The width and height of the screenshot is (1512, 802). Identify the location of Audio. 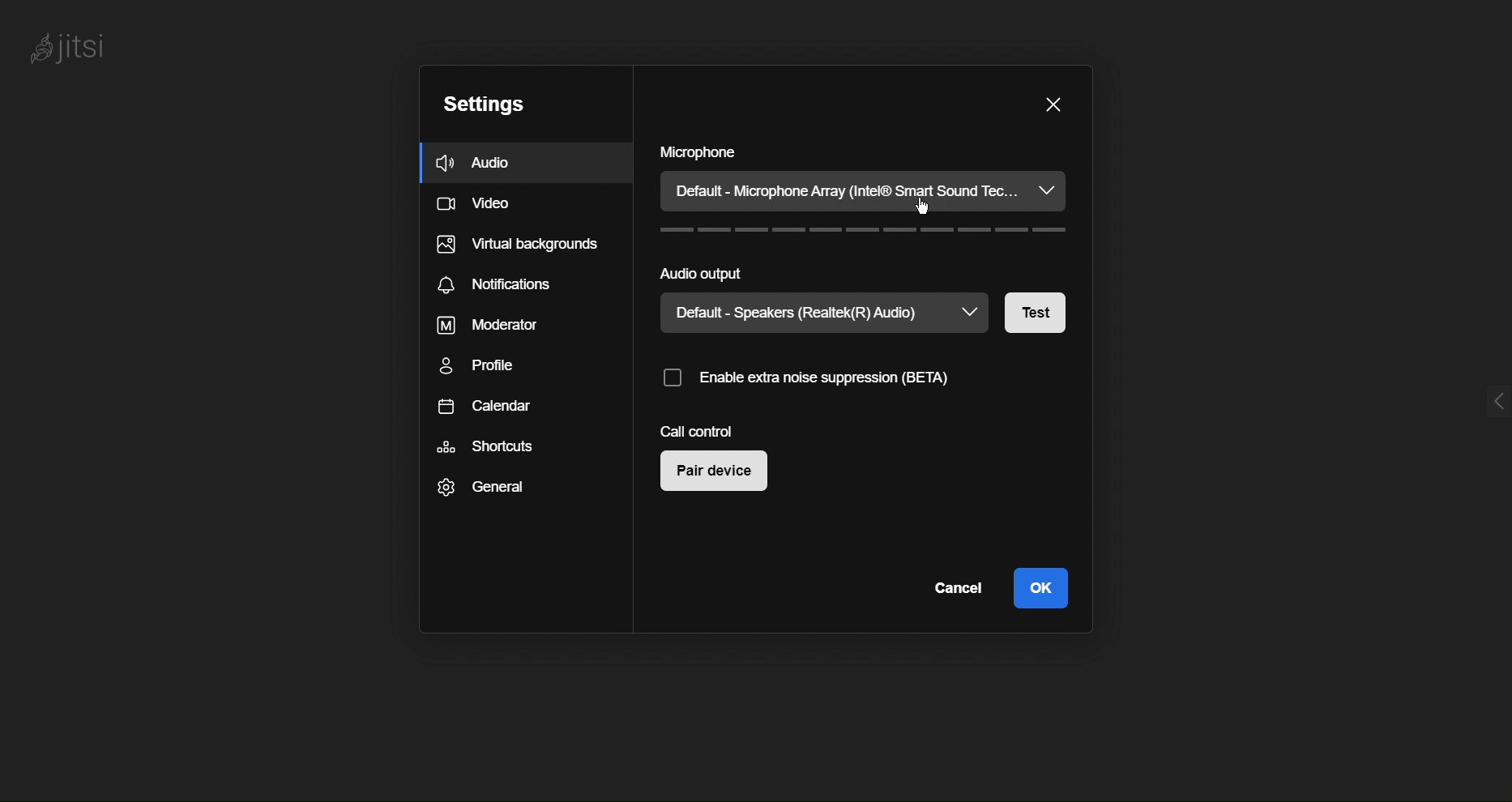
(483, 164).